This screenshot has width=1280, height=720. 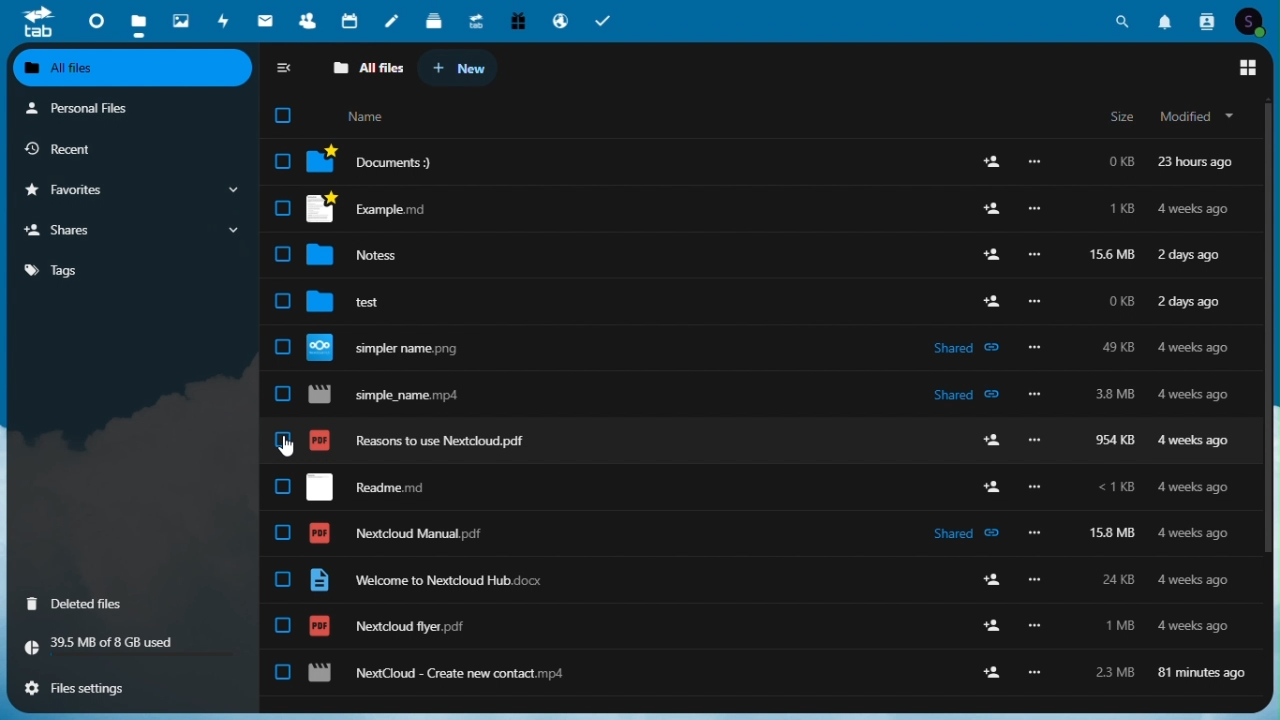 What do you see at coordinates (131, 646) in the screenshot?
I see `storage` at bounding box center [131, 646].